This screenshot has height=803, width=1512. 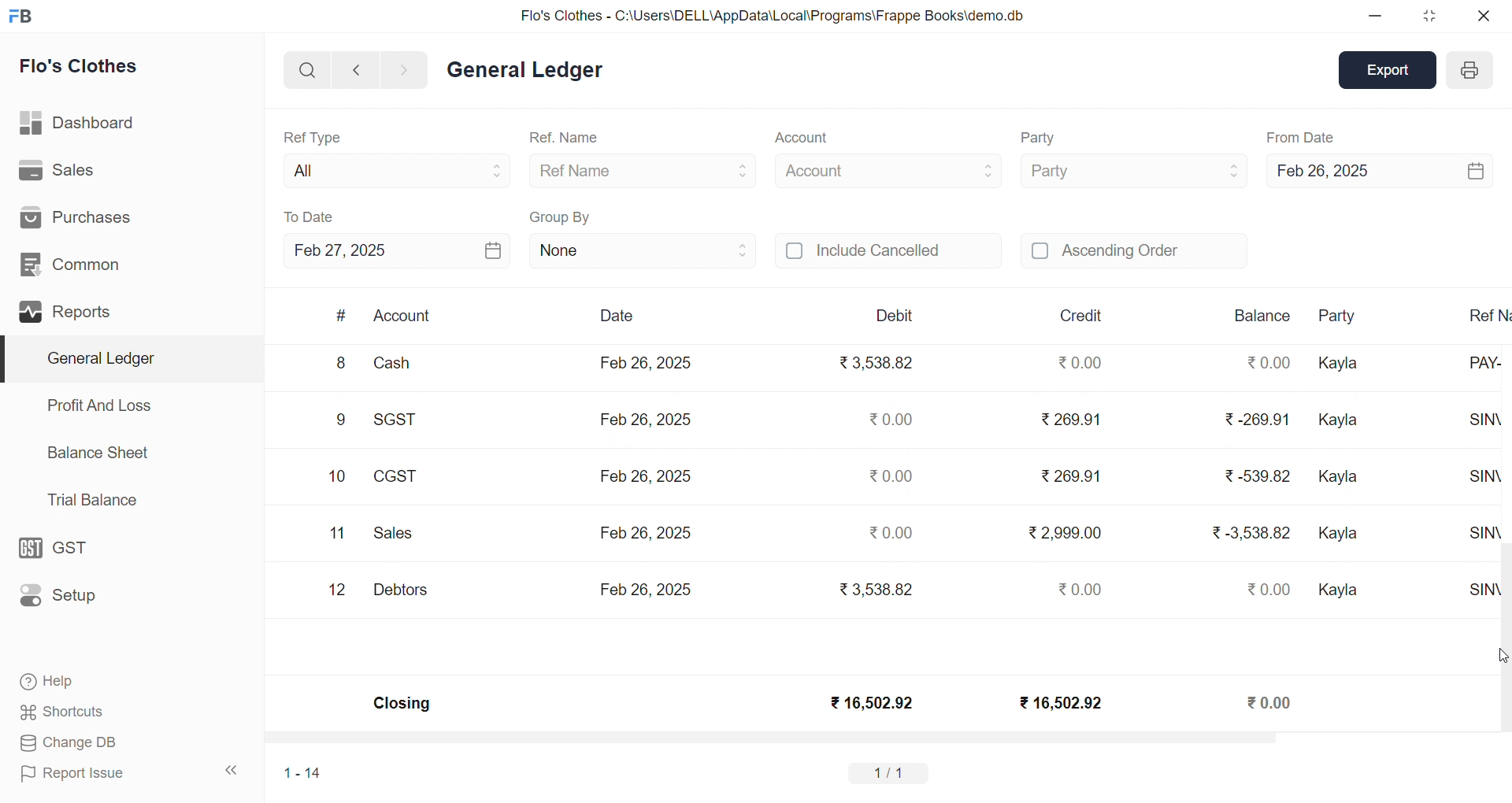 What do you see at coordinates (646, 473) in the screenshot?
I see `Feb 26, 2025` at bounding box center [646, 473].